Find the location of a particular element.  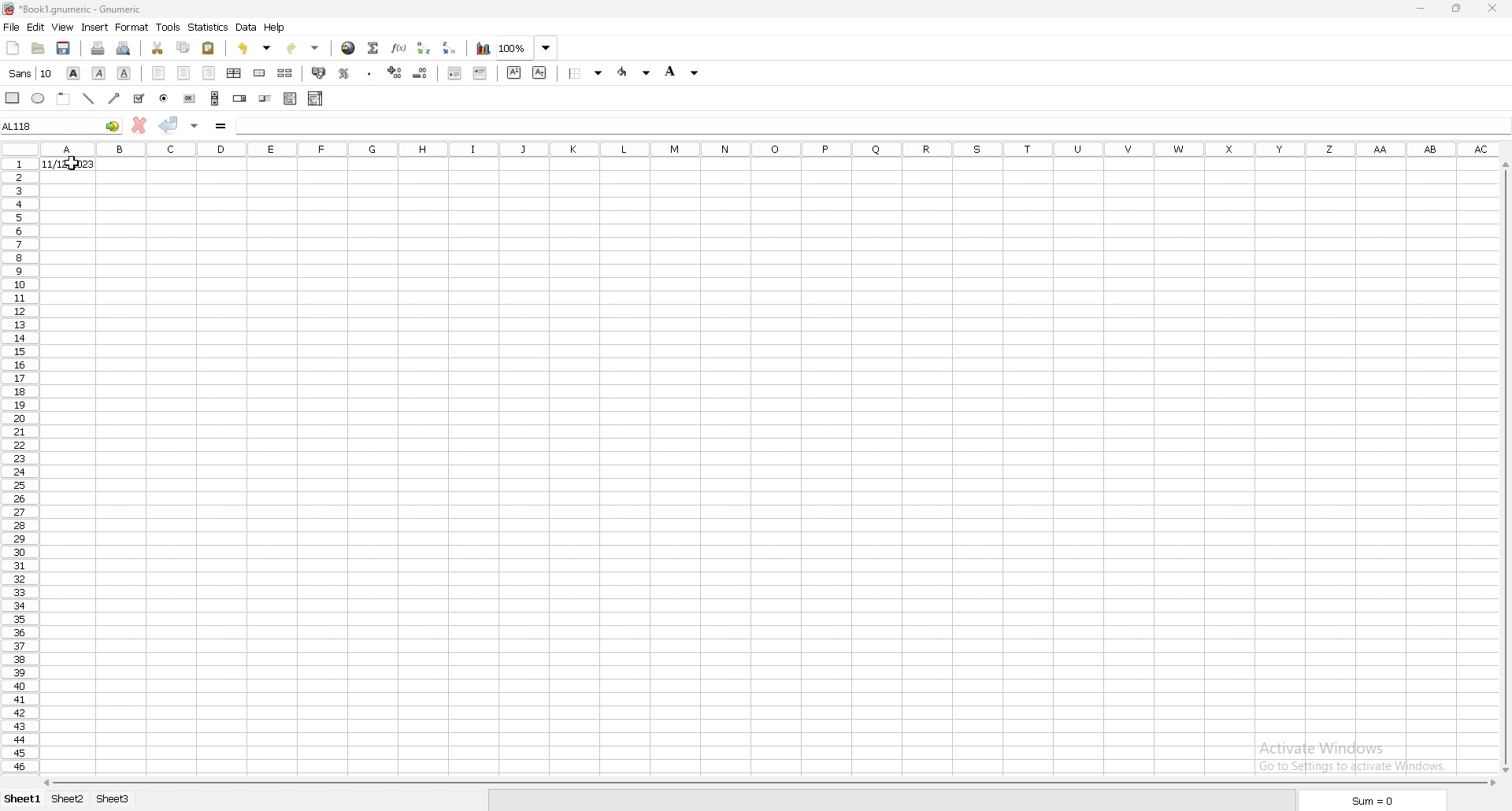

file is located at coordinates (11, 28).